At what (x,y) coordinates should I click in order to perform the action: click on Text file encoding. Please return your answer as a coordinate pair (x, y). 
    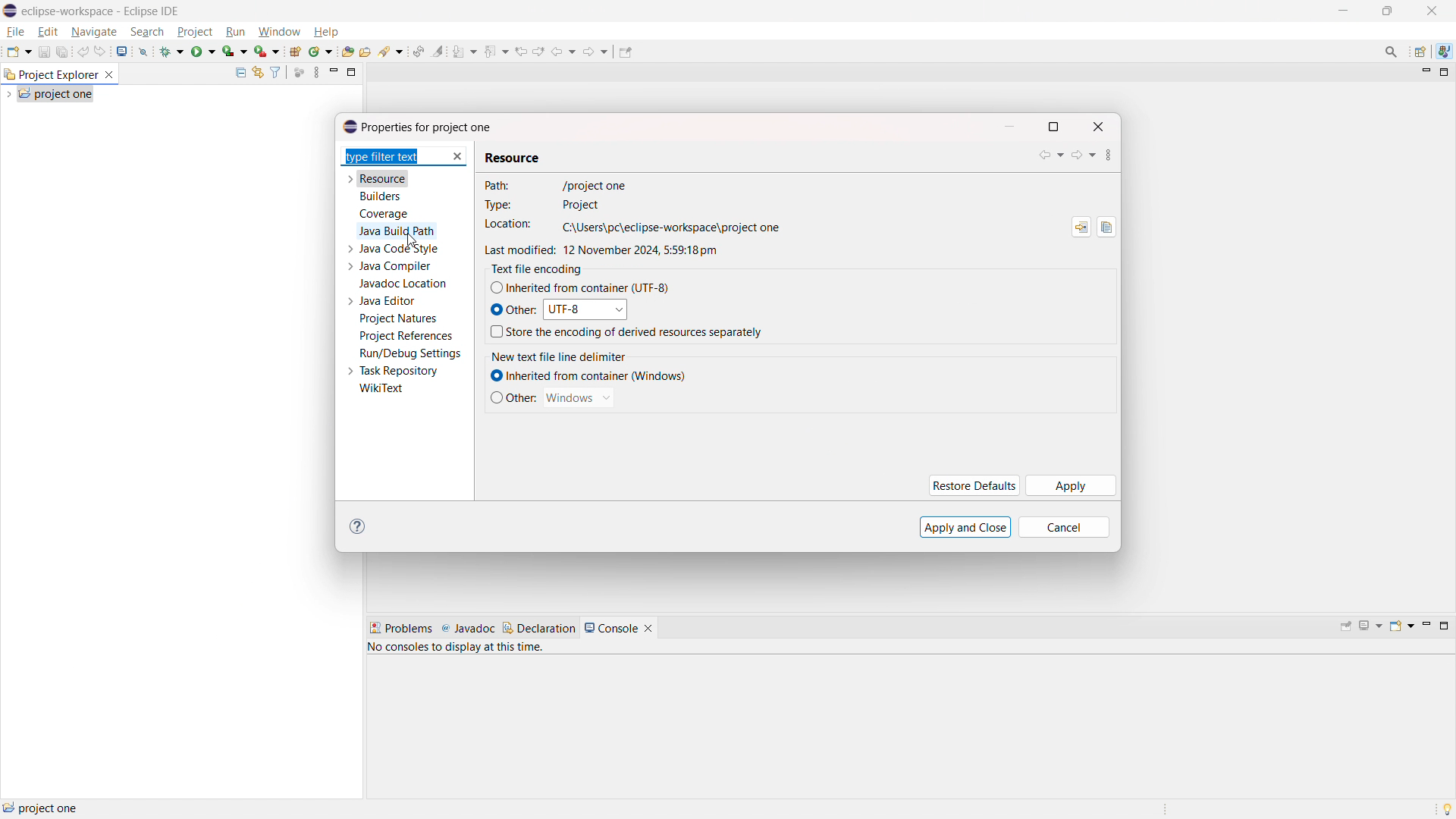
    Looking at the image, I should click on (534, 270).